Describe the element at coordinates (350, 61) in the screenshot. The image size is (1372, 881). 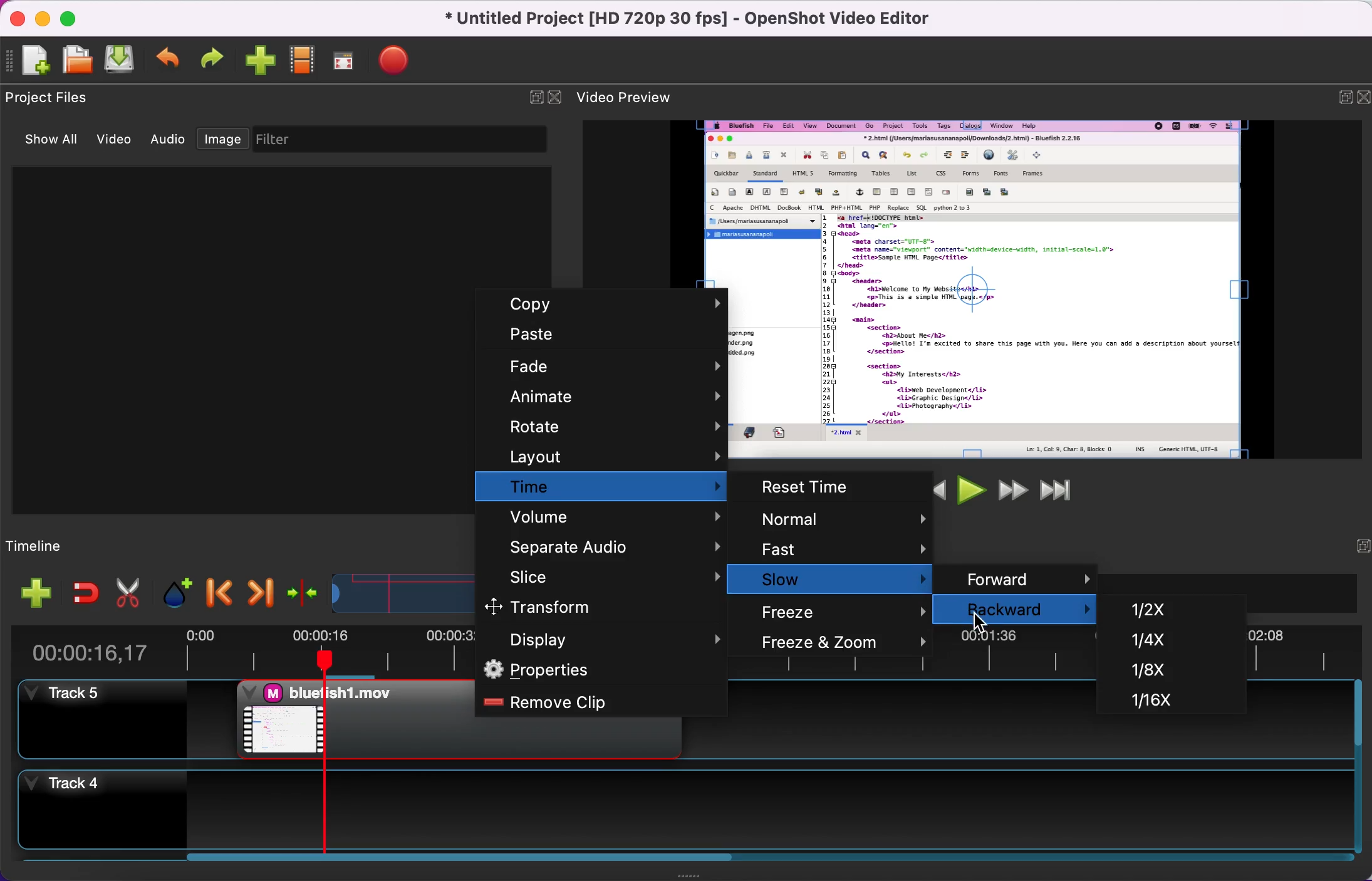
I see `full screen` at that location.